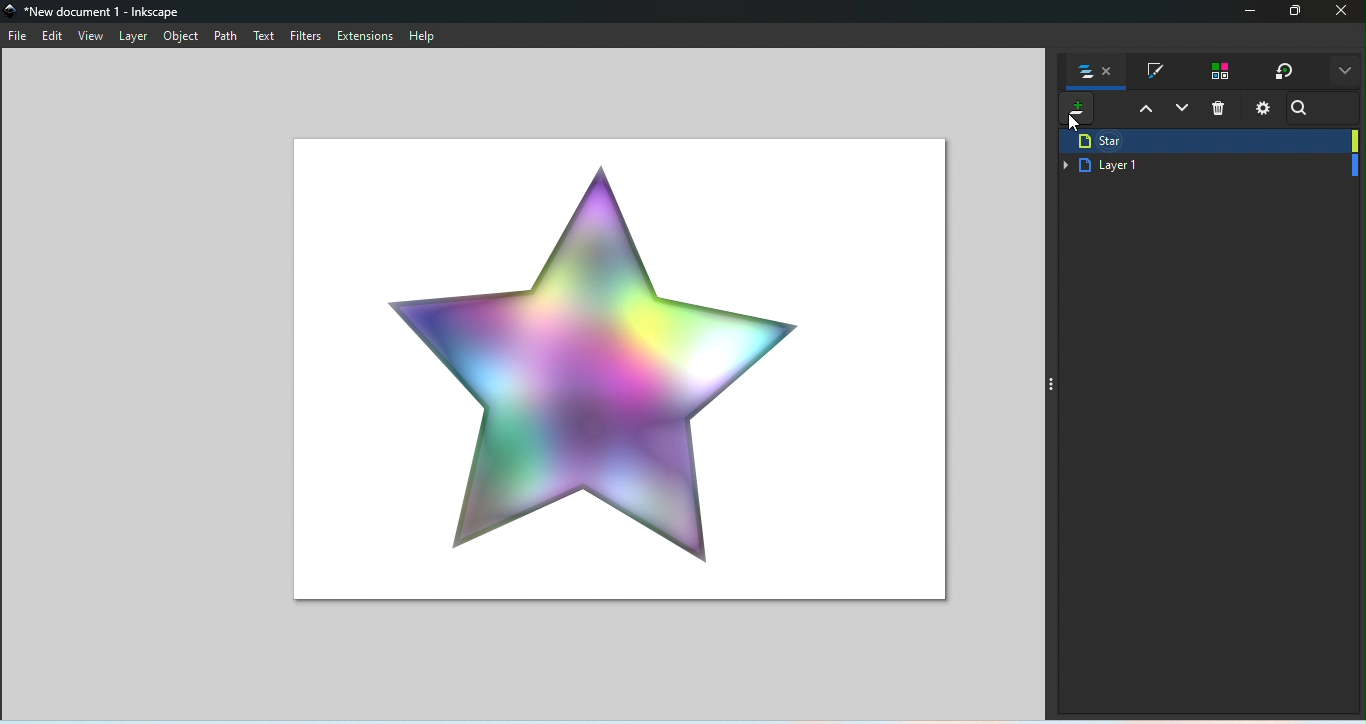 The image size is (1366, 724). What do you see at coordinates (425, 37) in the screenshot?
I see `Help` at bounding box center [425, 37].